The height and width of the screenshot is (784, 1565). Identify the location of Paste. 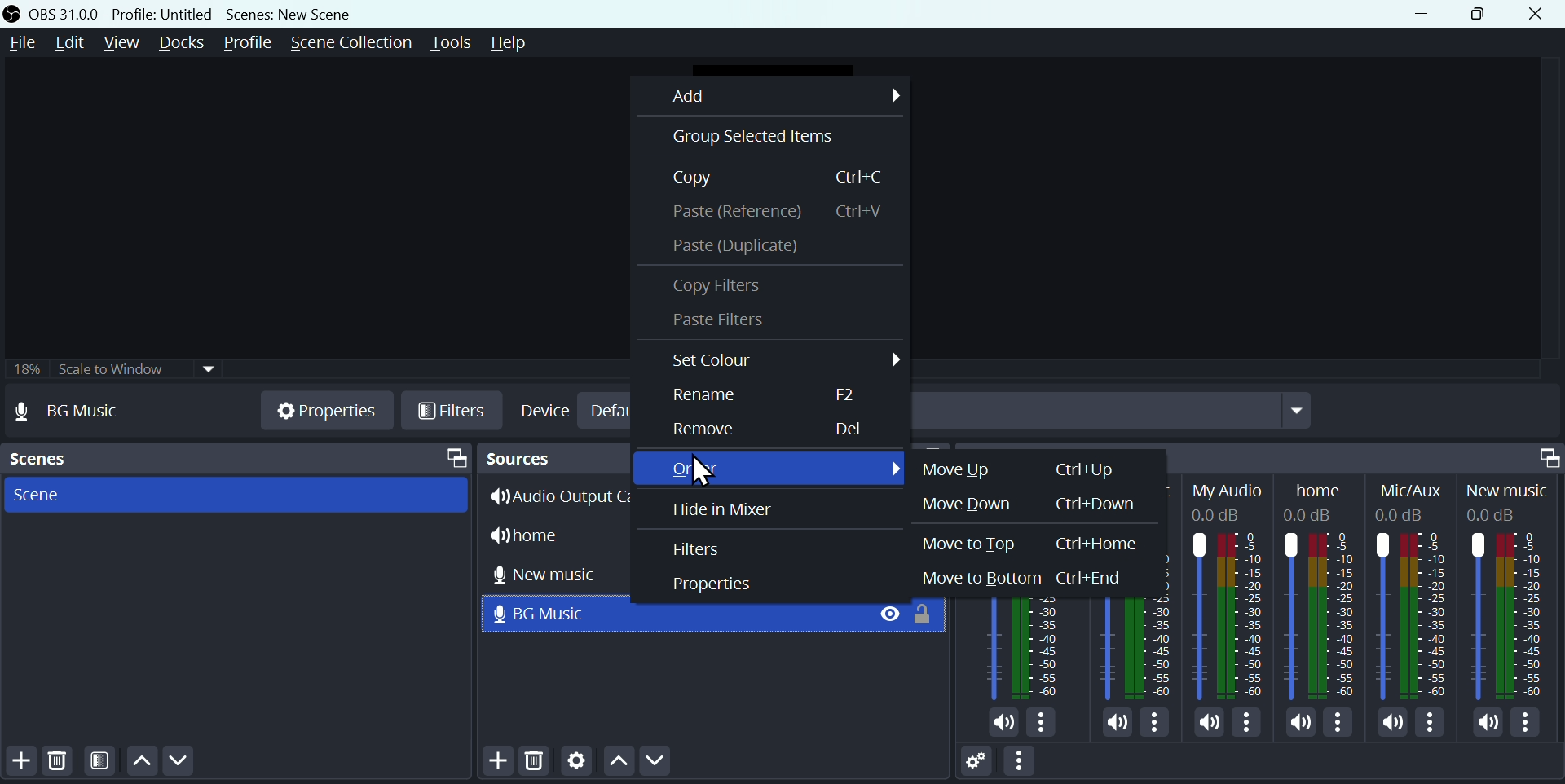
(774, 210).